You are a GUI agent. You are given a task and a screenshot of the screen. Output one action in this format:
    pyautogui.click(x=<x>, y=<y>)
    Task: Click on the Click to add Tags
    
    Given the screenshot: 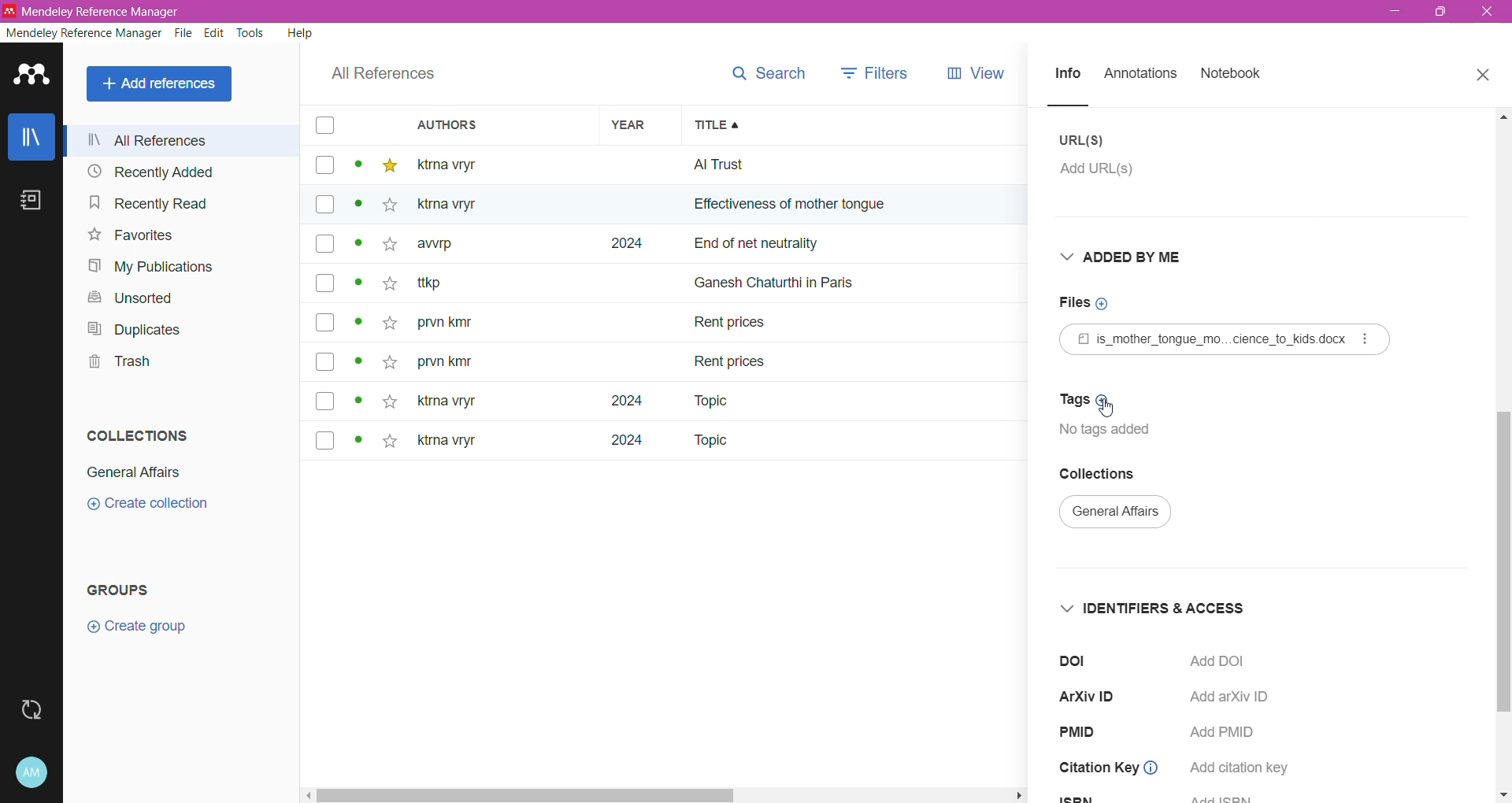 What is the action you would take?
    pyautogui.click(x=1080, y=399)
    